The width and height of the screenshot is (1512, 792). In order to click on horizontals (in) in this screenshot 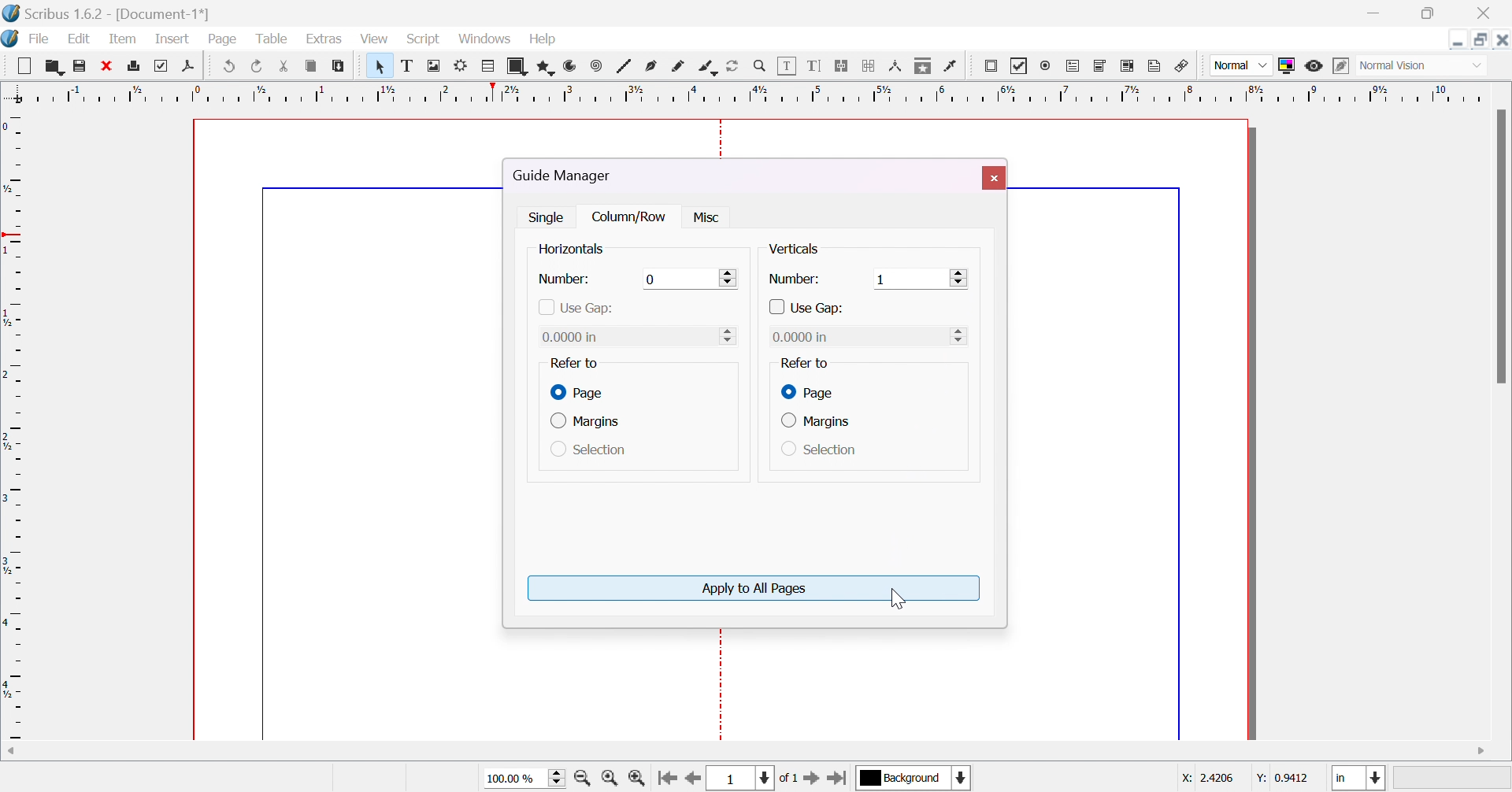, I will do `click(584, 250)`.